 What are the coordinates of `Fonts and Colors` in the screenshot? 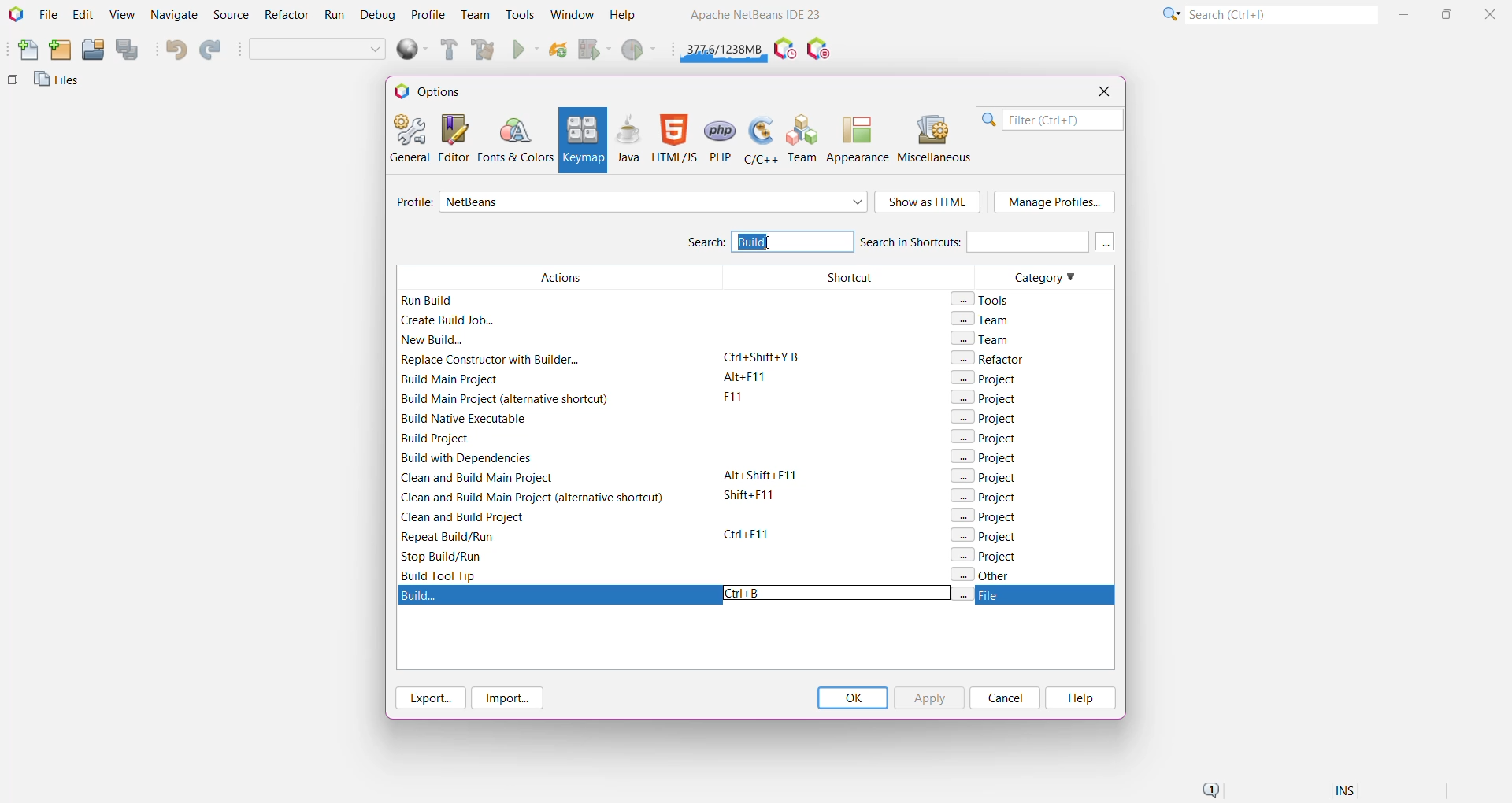 It's located at (515, 139).